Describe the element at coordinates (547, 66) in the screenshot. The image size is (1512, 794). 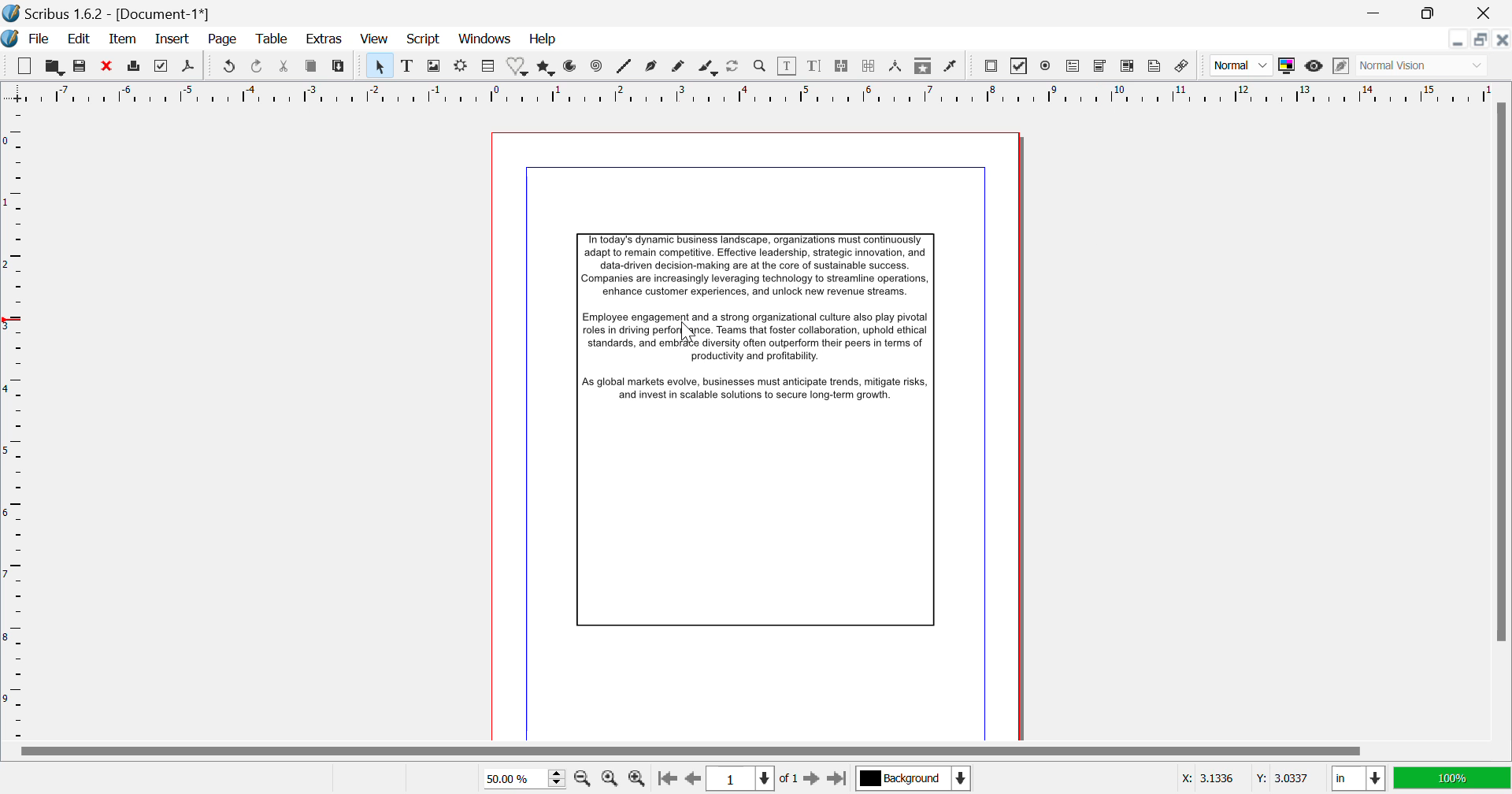
I see `Polygons` at that location.